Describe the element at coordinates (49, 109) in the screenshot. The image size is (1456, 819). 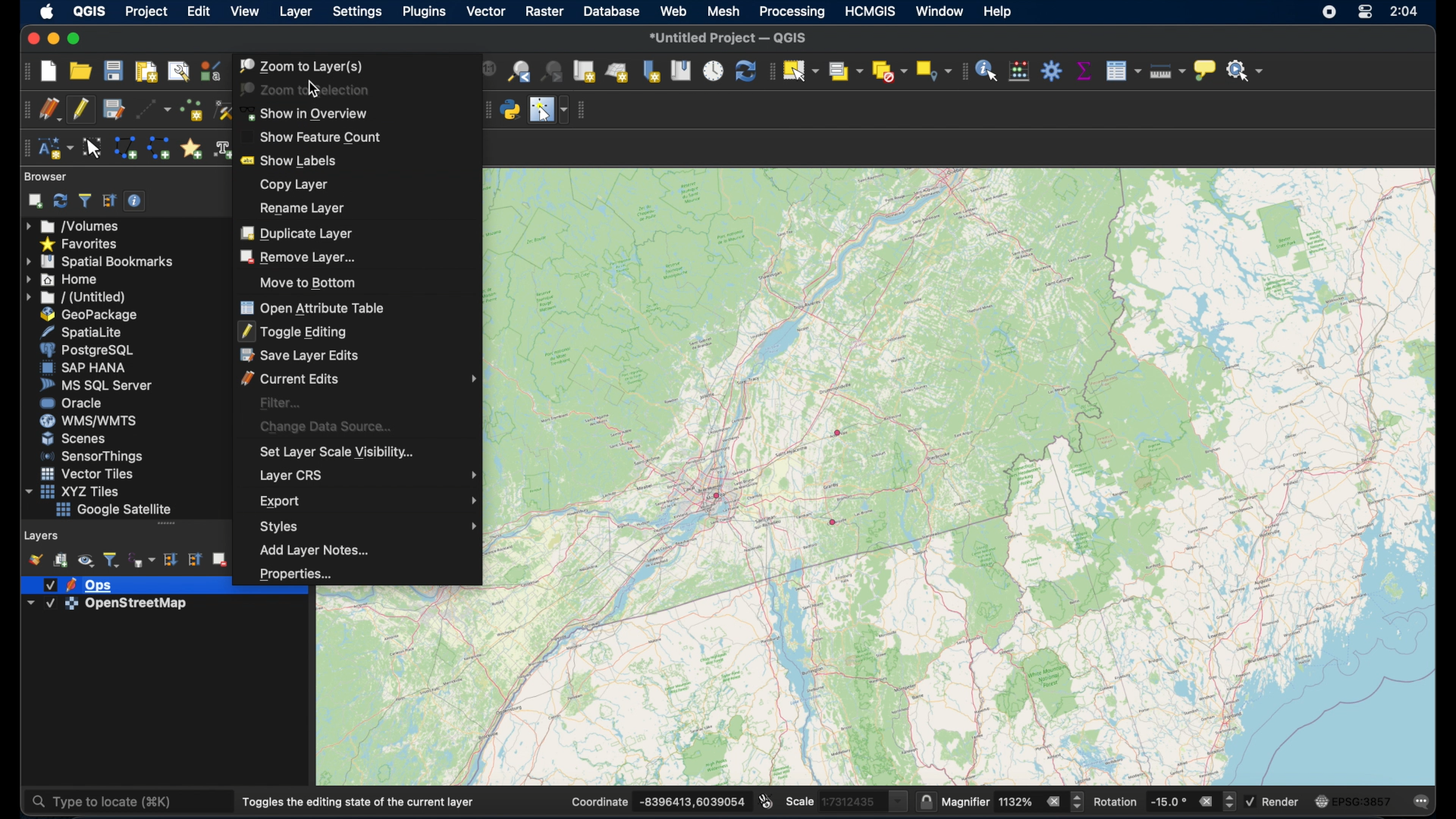
I see `current edits` at that location.